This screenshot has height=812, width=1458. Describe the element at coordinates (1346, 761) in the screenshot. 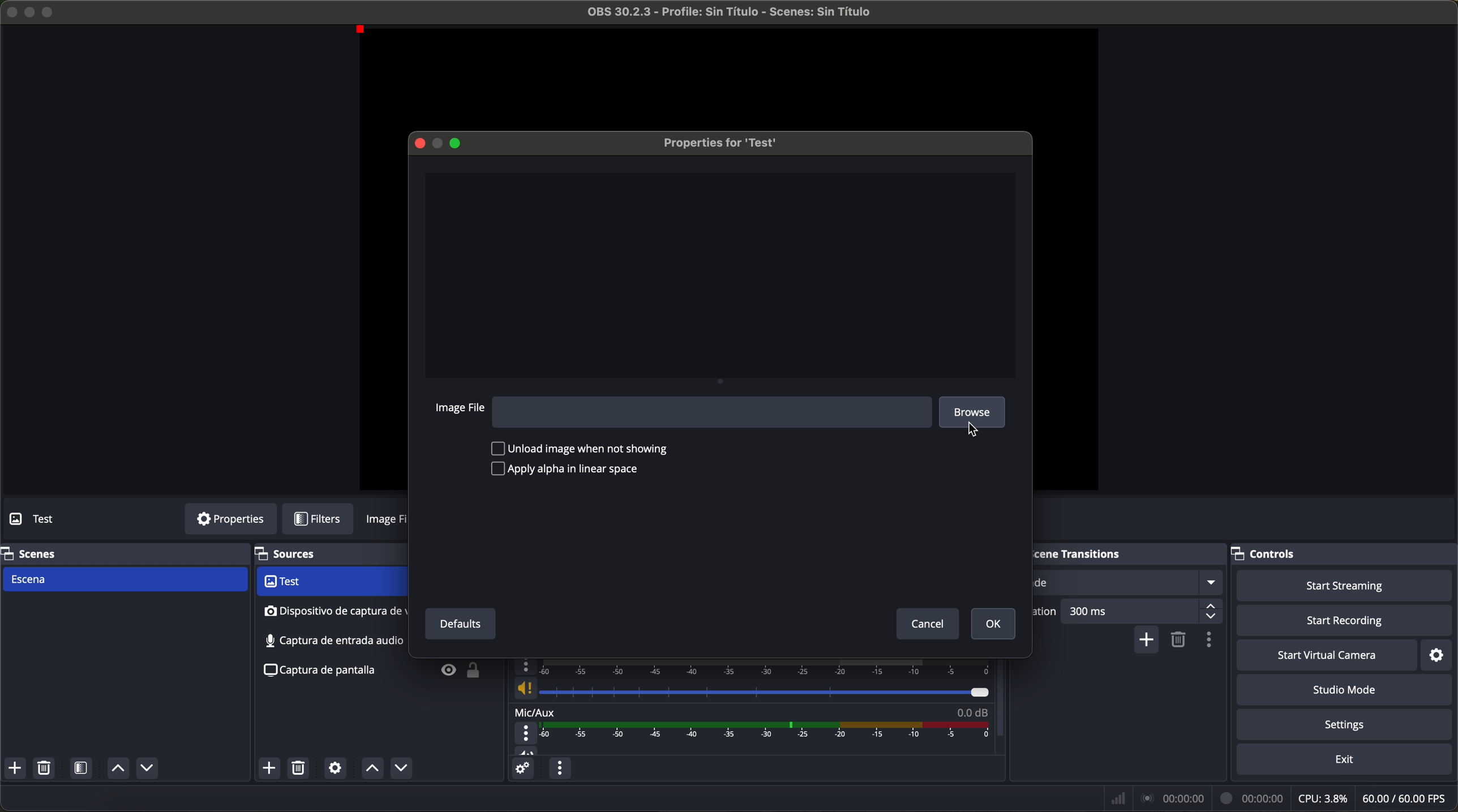

I see `exit` at that location.